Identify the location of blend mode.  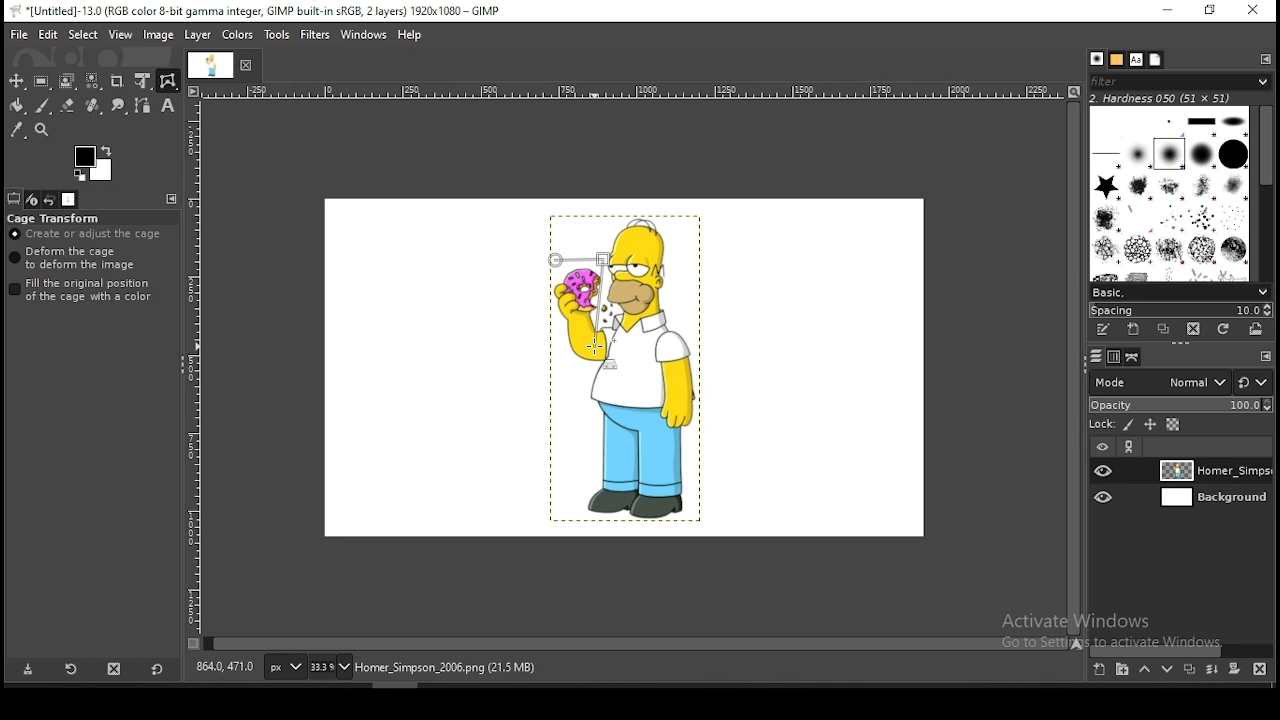
(1155, 381).